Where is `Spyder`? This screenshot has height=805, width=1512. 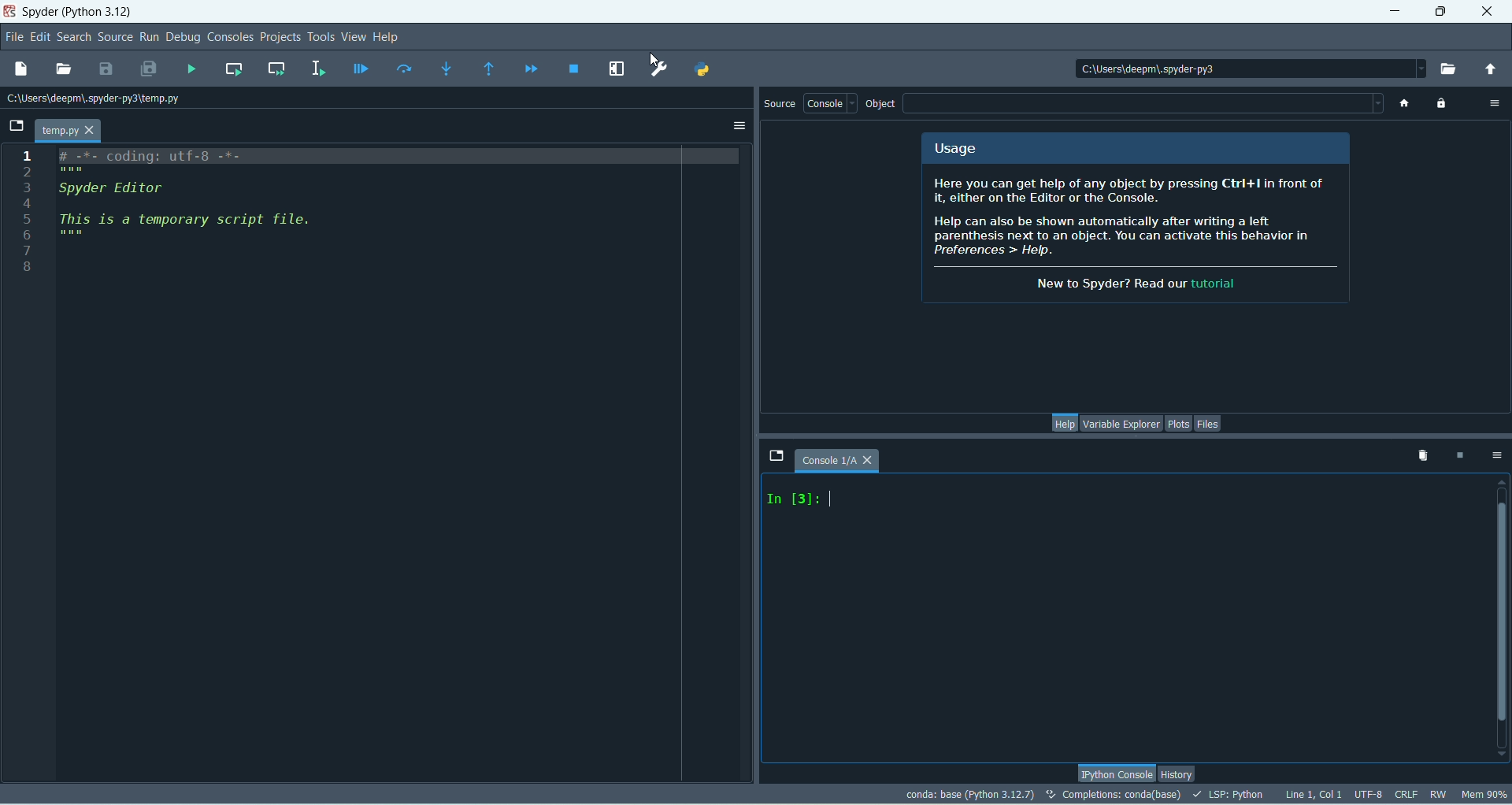
Spyder is located at coordinates (83, 13).